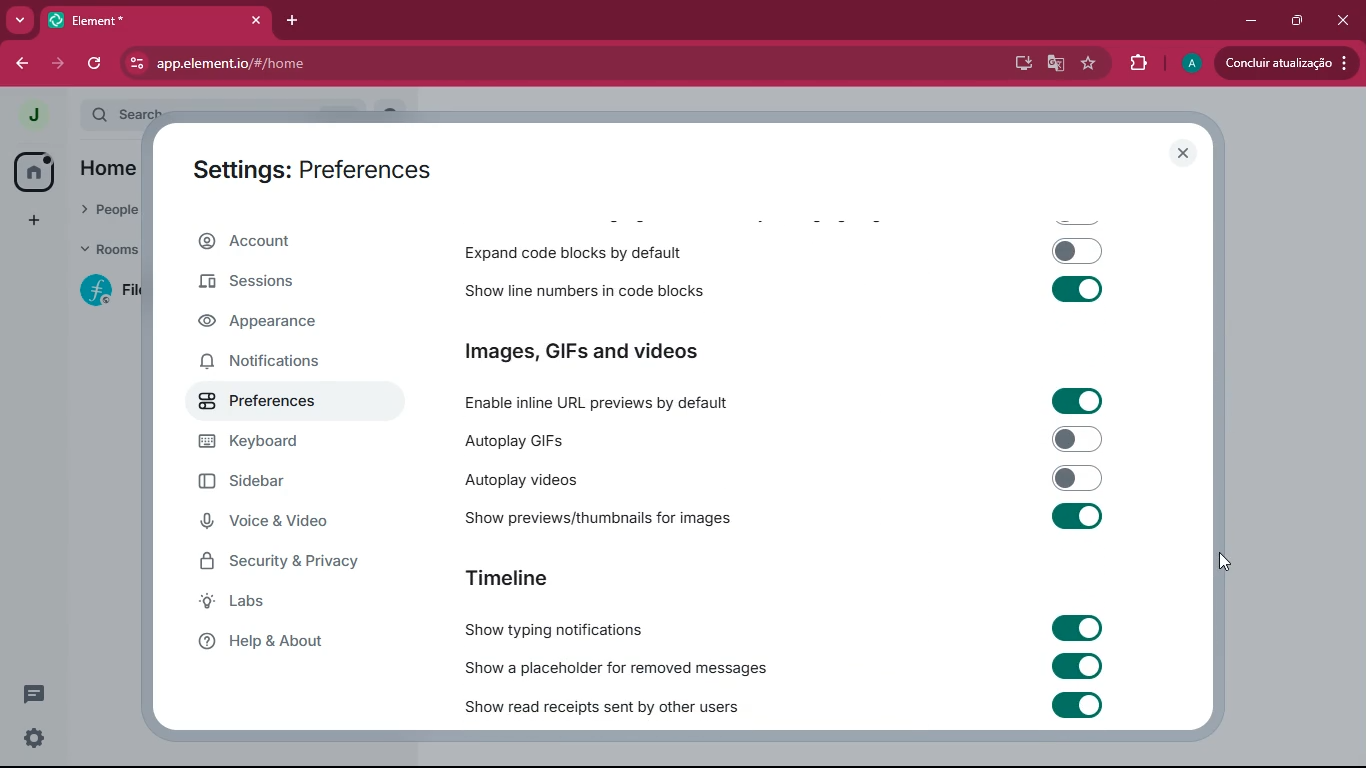 The height and width of the screenshot is (768, 1366). I want to click on security & privacy, so click(285, 565).